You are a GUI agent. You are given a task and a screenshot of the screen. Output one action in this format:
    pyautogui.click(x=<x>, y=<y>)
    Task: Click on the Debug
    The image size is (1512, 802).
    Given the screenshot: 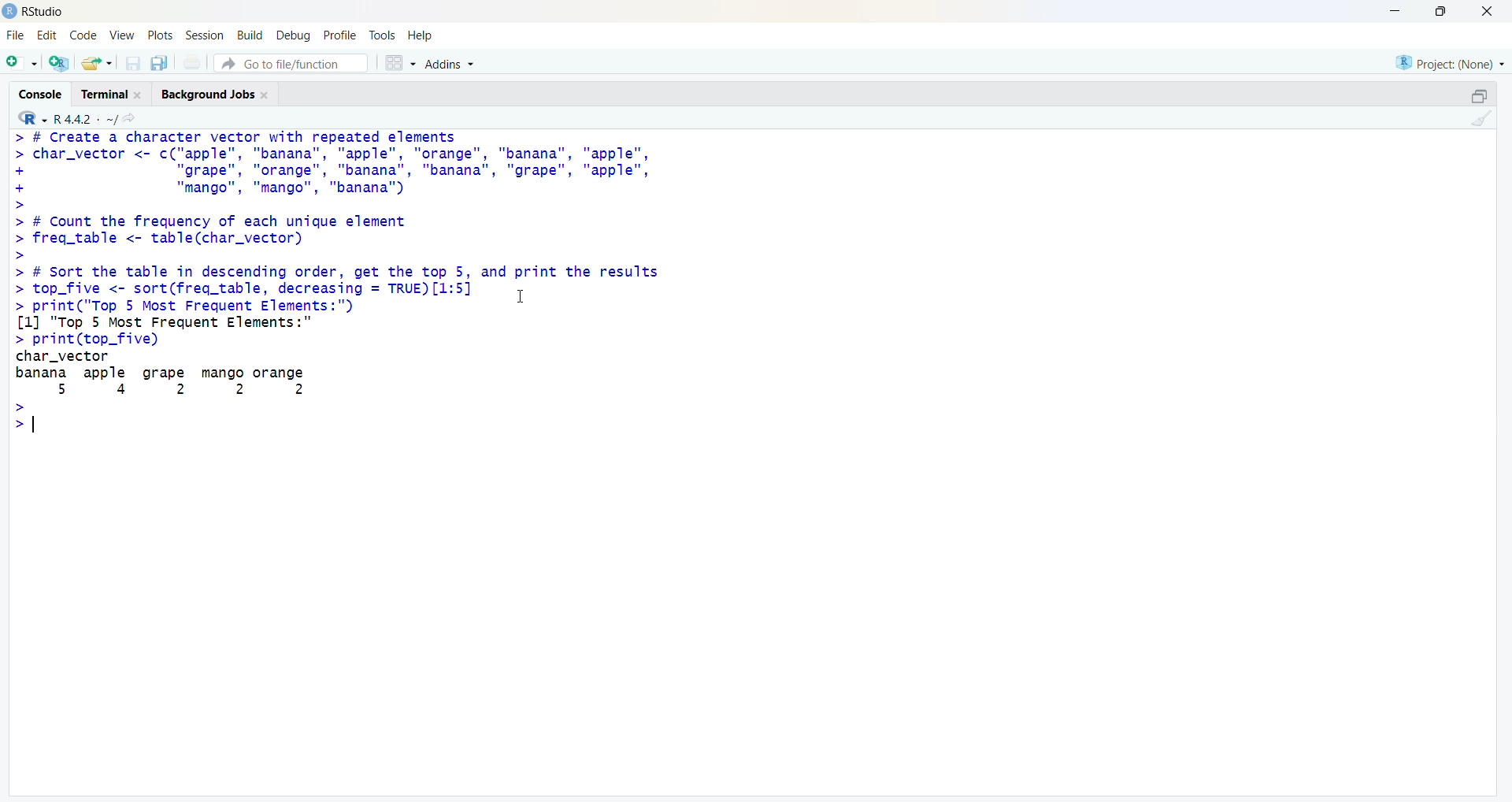 What is the action you would take?
    pyautogui.click(x=294, y=37)
    